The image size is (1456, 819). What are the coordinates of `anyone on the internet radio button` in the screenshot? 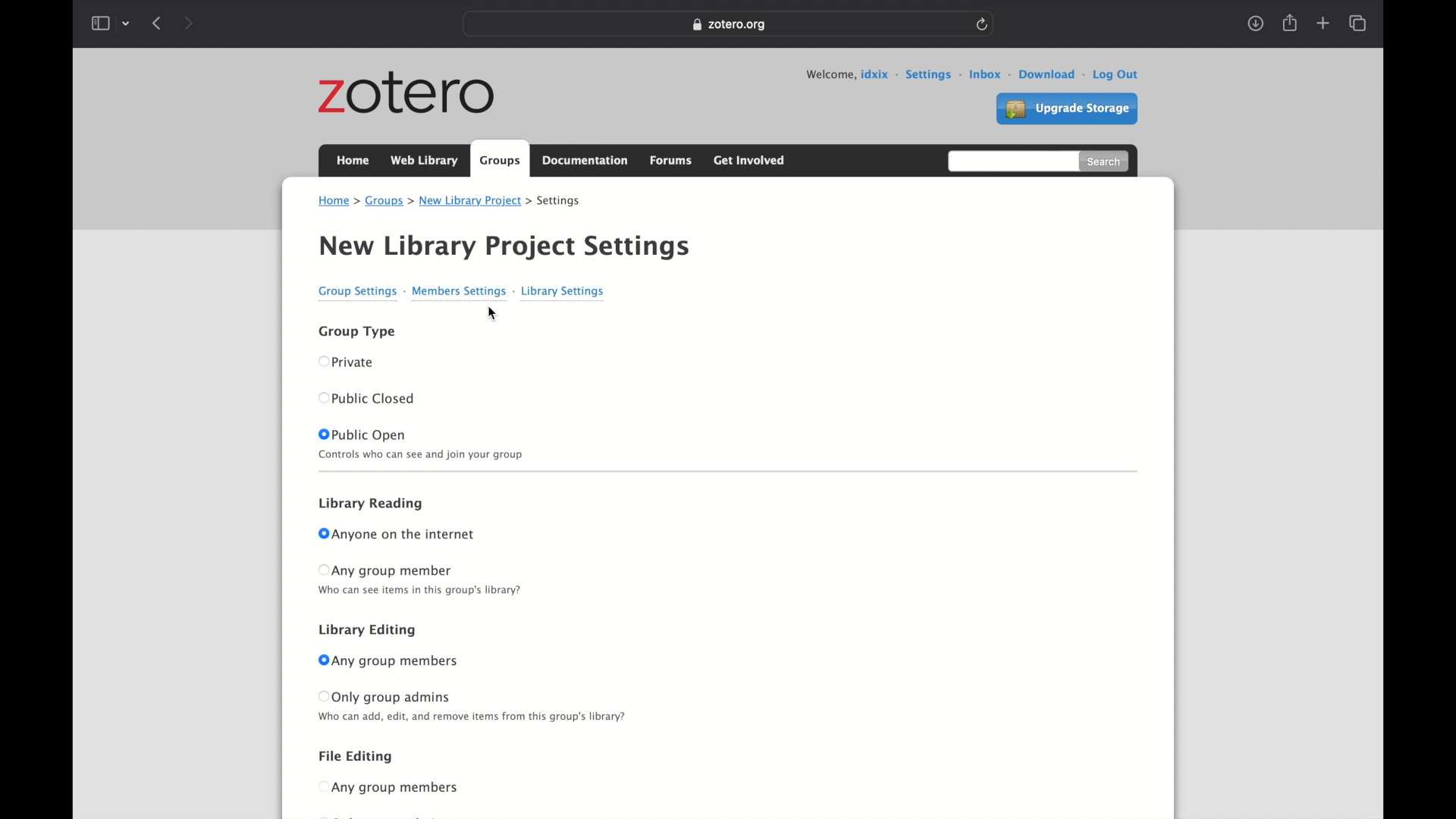 It's located at (404, 535).